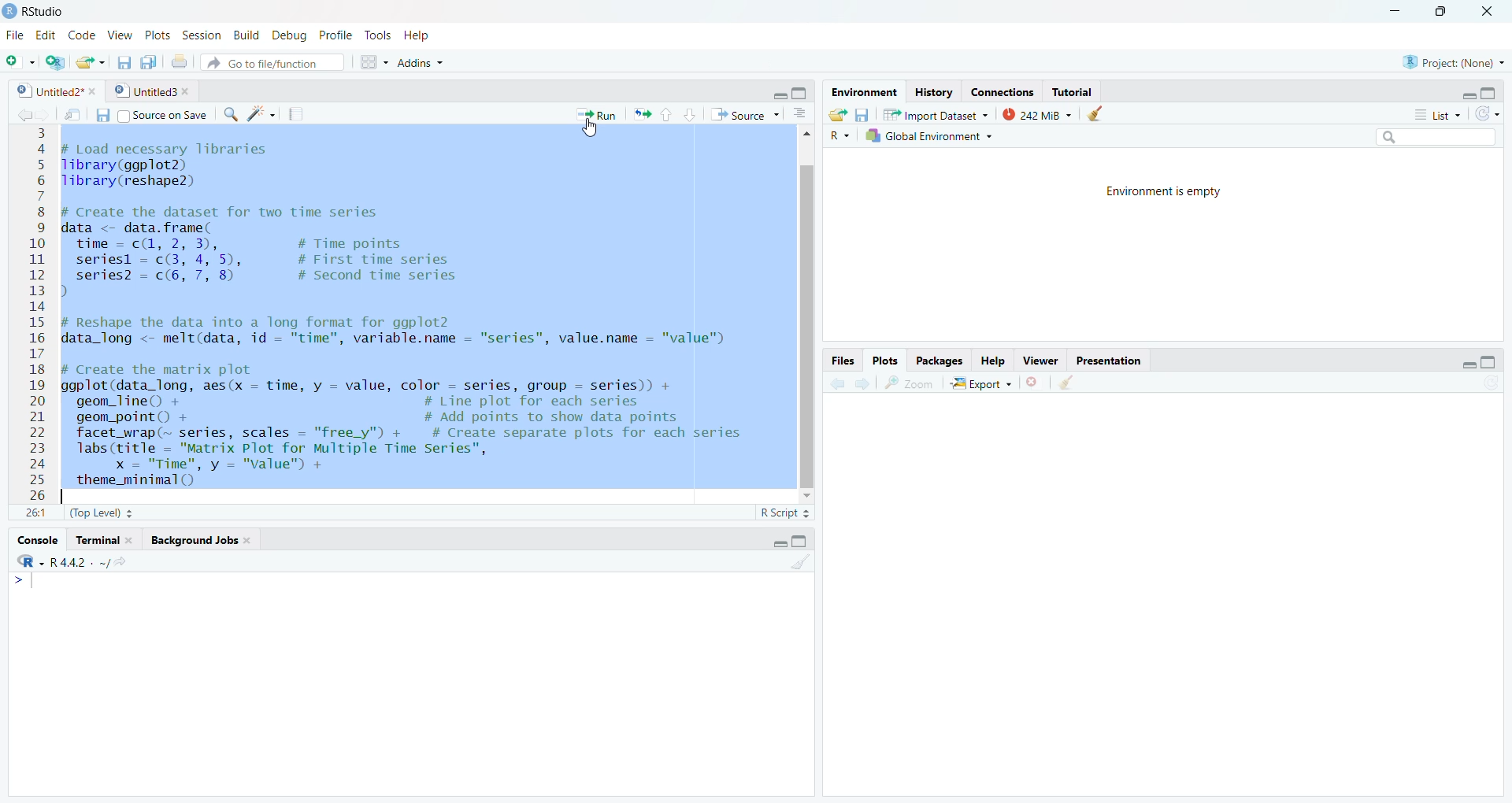 The image size is (1512, 803). I want to click on File, so click(17, 36).